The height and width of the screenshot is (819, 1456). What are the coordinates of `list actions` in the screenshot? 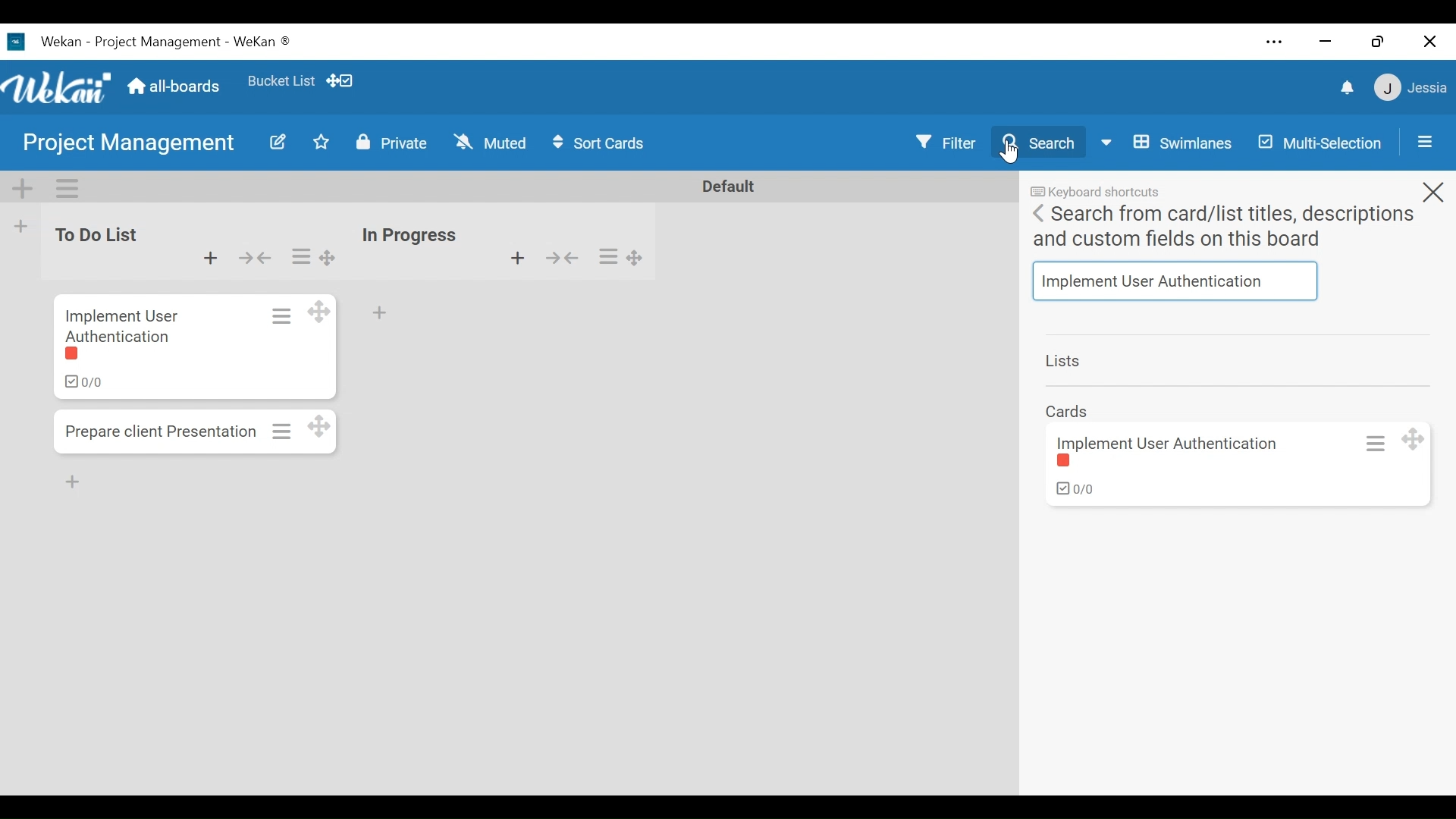 It's located at (606, 256).